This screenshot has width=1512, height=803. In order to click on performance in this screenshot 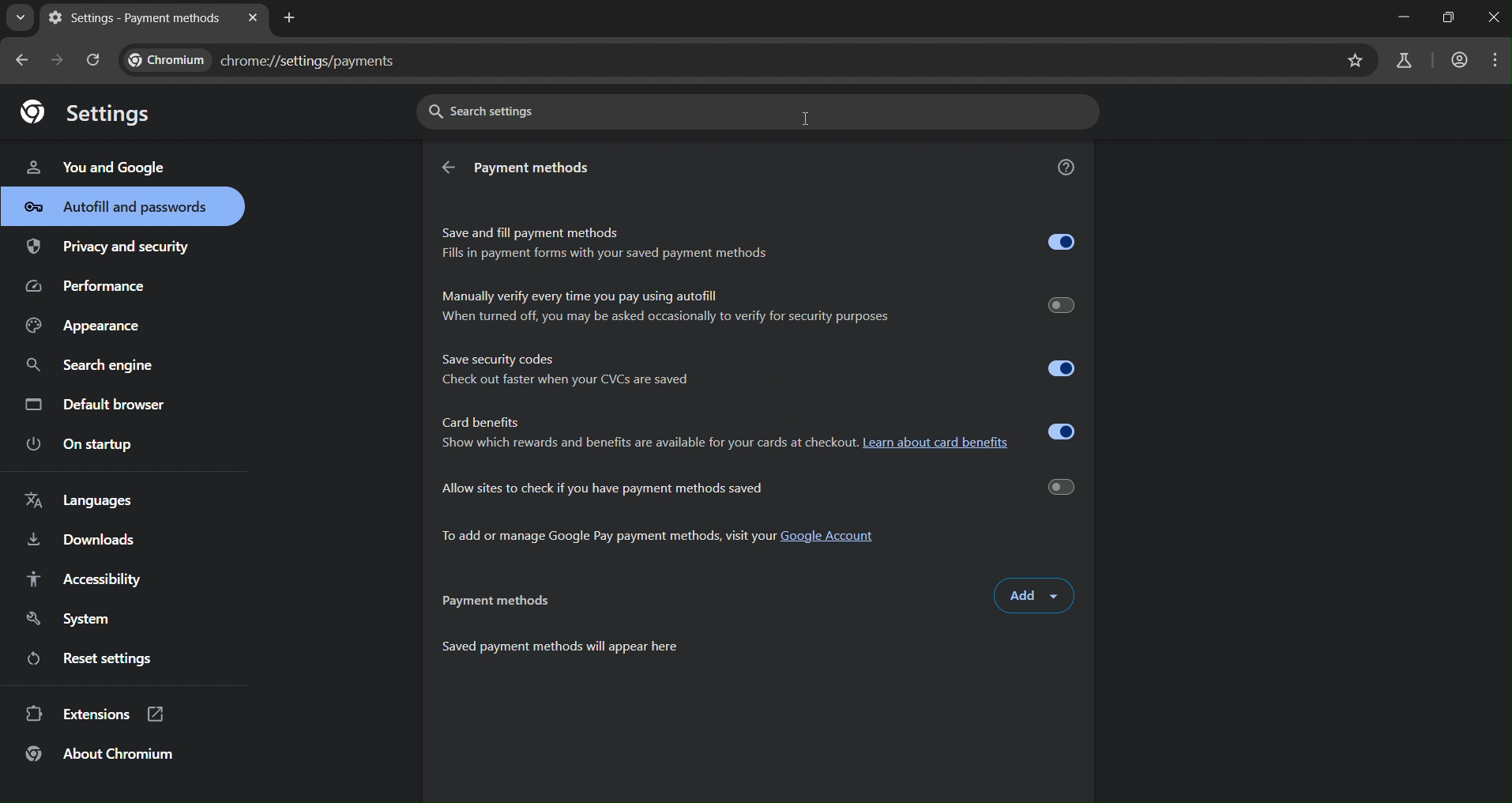, I will do `click(87, 286)`.